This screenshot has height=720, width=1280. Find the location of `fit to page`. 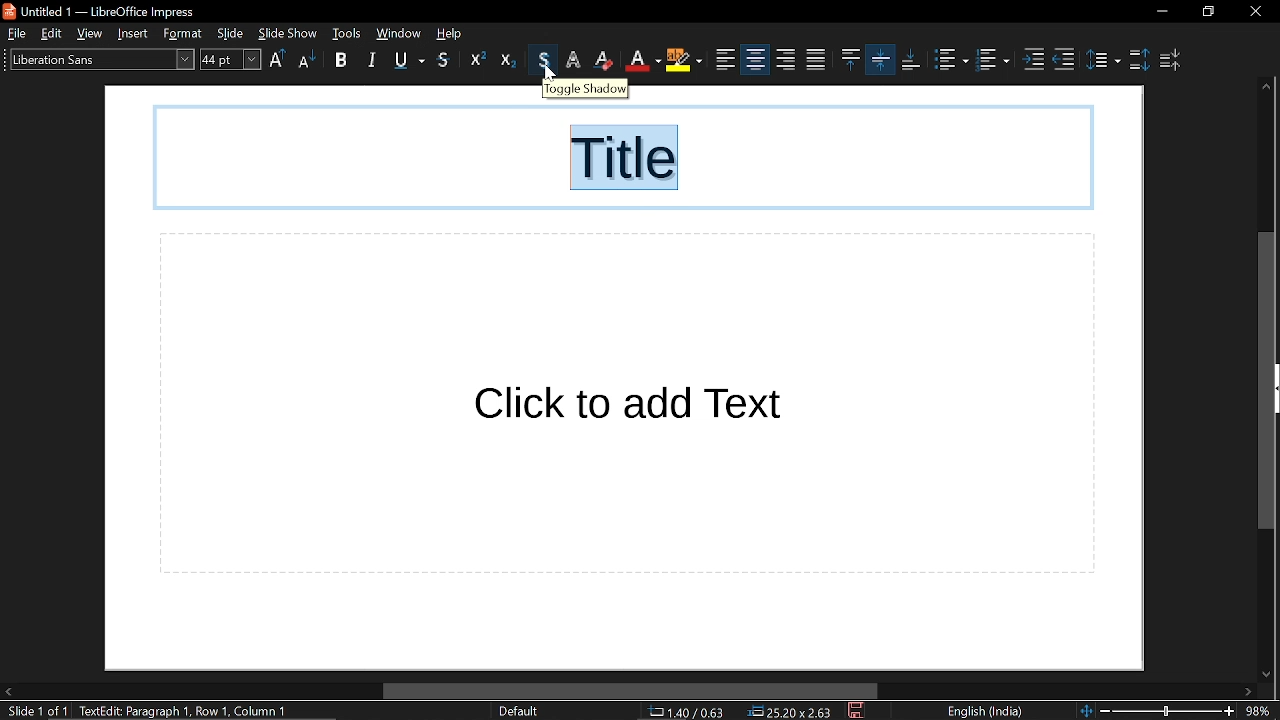

fit to page is located at coordinates (1083, 709).